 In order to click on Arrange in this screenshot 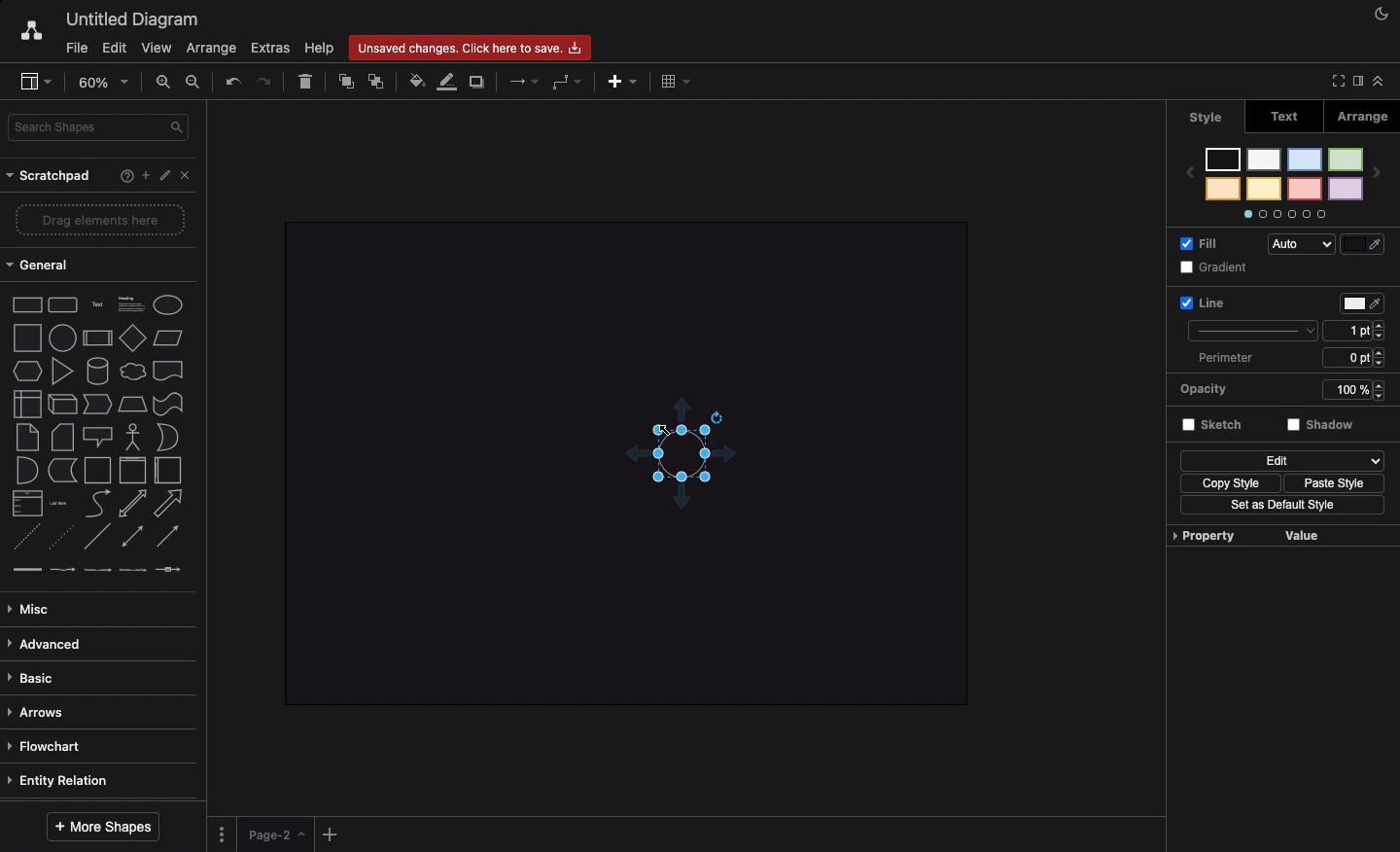, I will do `click(1366, 116)`.